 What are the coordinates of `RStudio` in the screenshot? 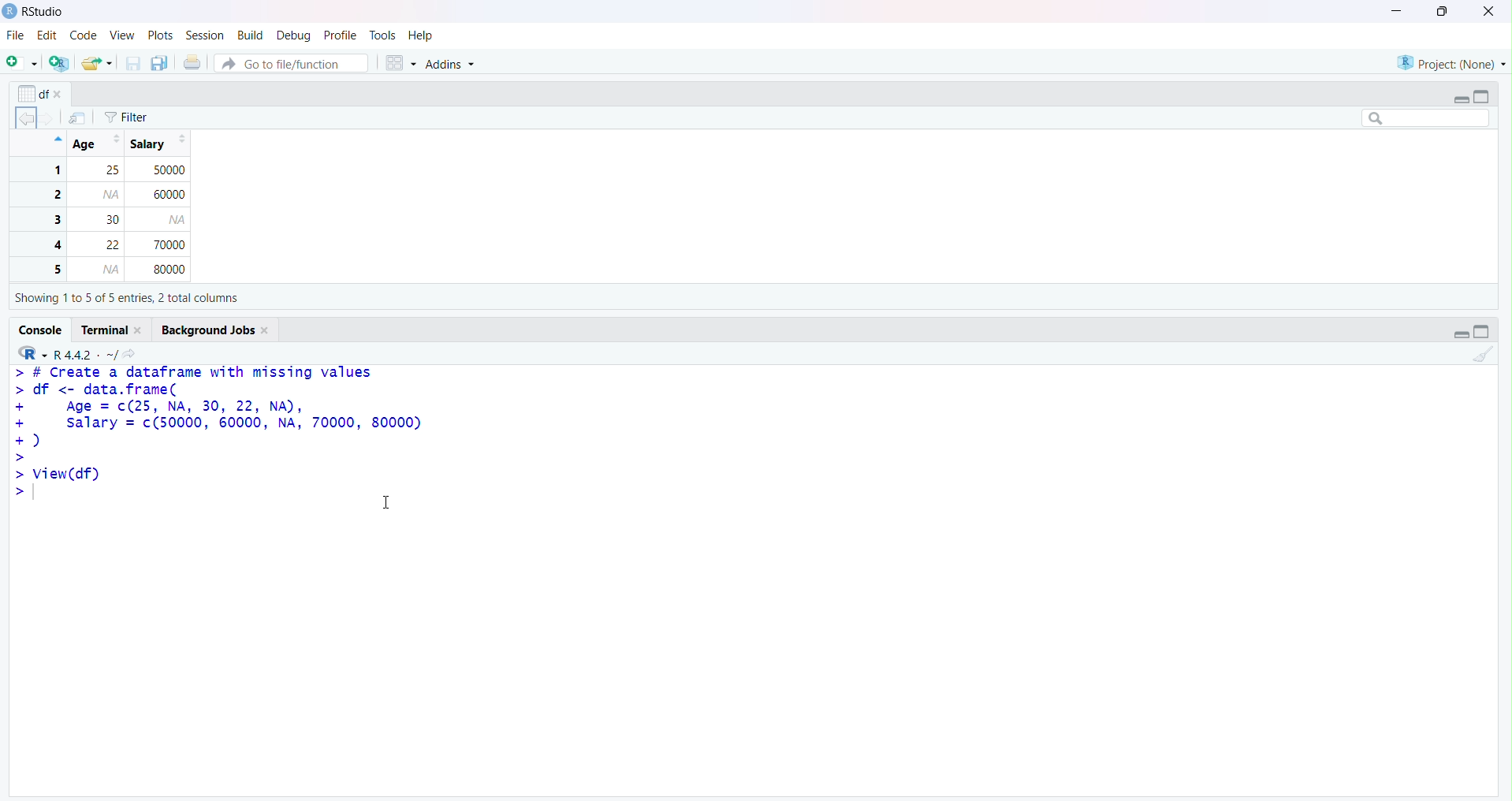 It's located at (42, 12).